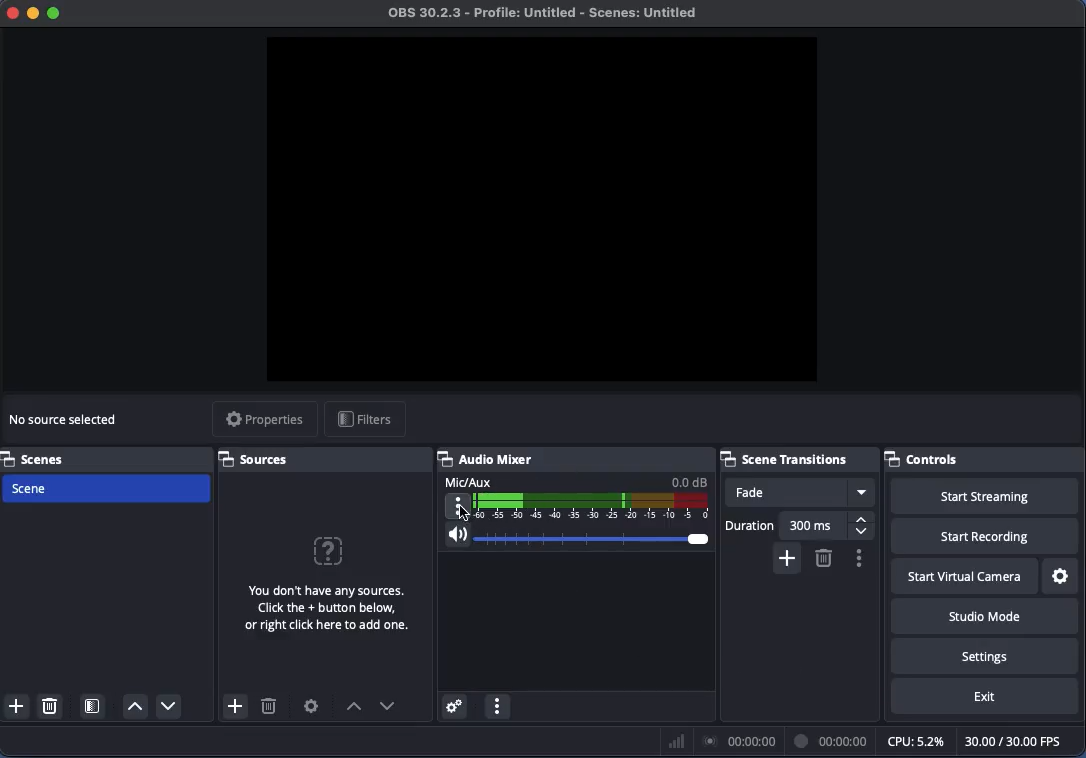 The width and height of the screenshot is (1086, 758). I want to click on Start streaming, so click(990, 497).